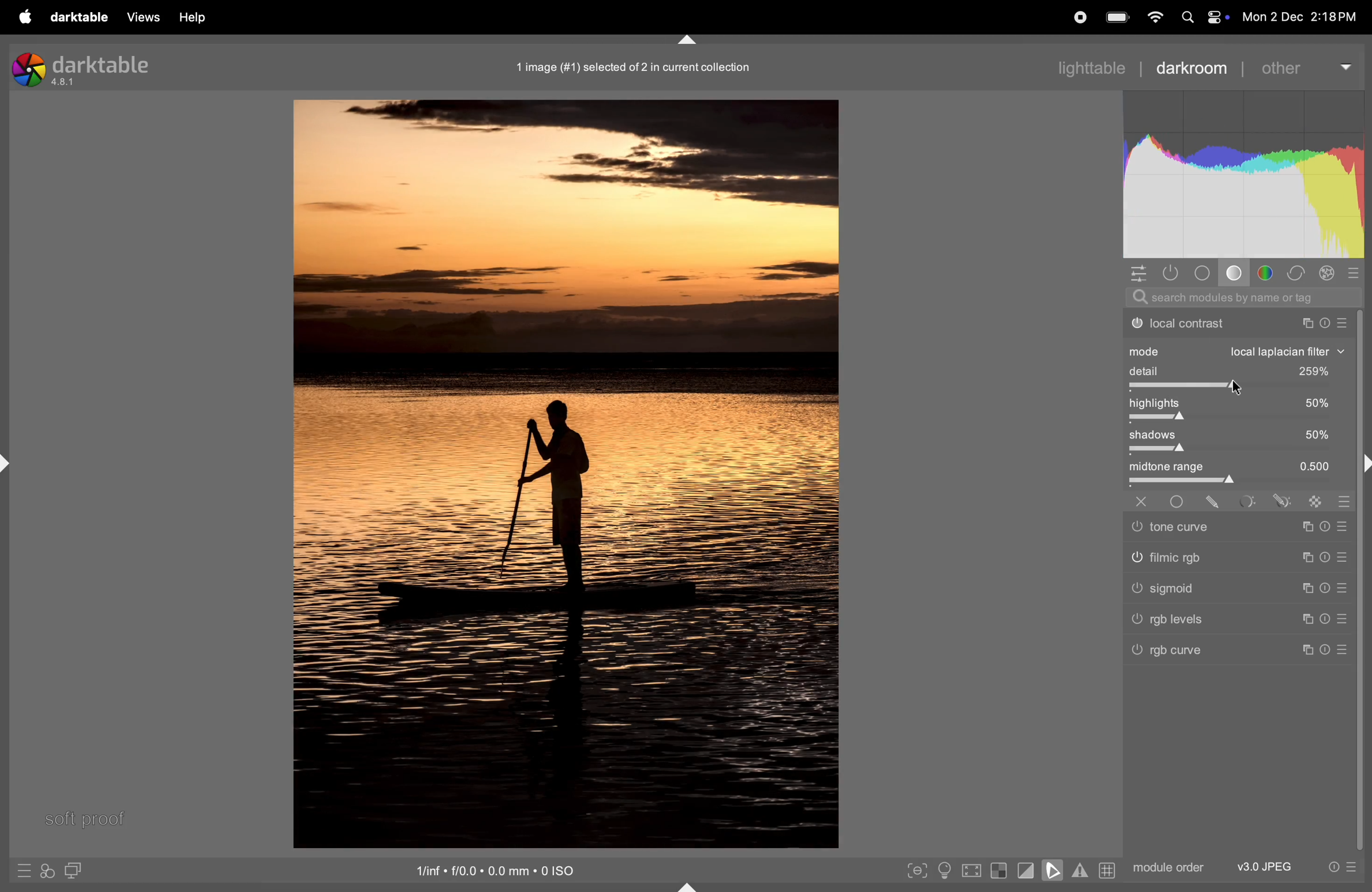 The image size is (1372, 892). Describe the element at coordinates (198, 17) in the screenshot. I see `help` at that location.